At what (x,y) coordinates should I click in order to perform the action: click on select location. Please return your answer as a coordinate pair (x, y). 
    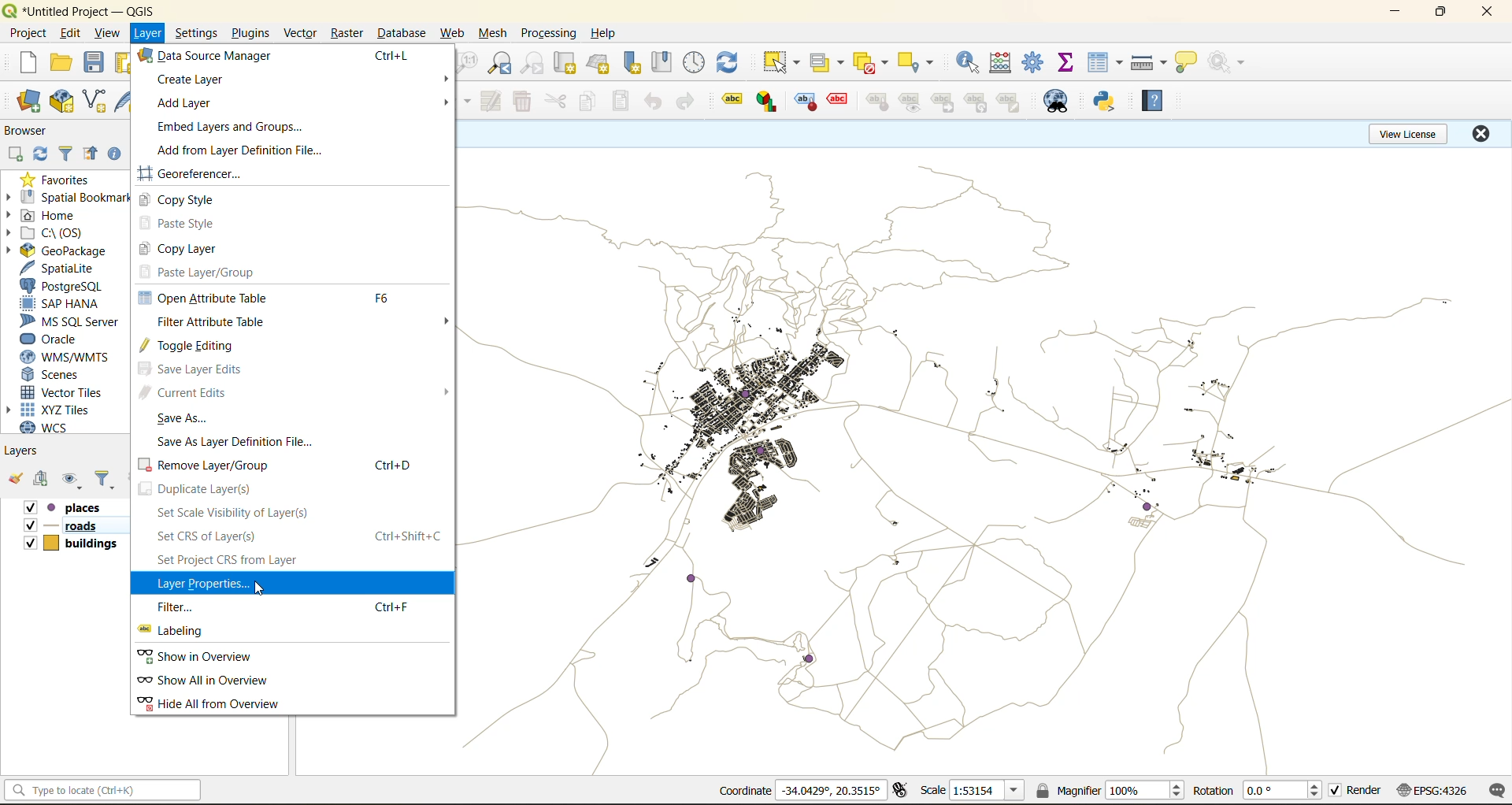
    Looking at the image, I should click on (919, 61).